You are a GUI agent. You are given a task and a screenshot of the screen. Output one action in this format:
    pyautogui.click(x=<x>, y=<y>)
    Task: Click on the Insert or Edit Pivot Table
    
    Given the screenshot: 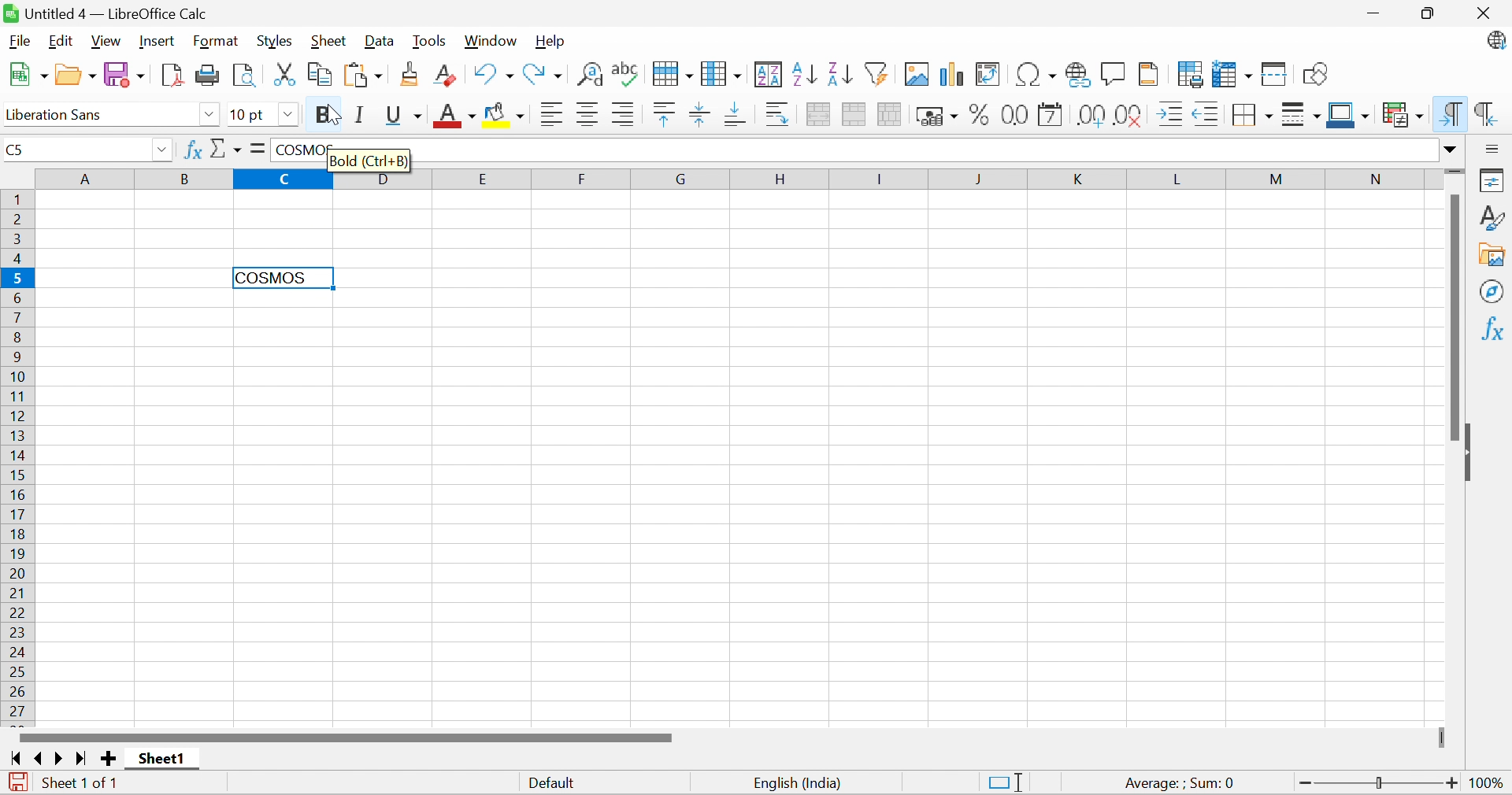 What is the action you would take?
    pyautogui.click(x=991, y=74)
    